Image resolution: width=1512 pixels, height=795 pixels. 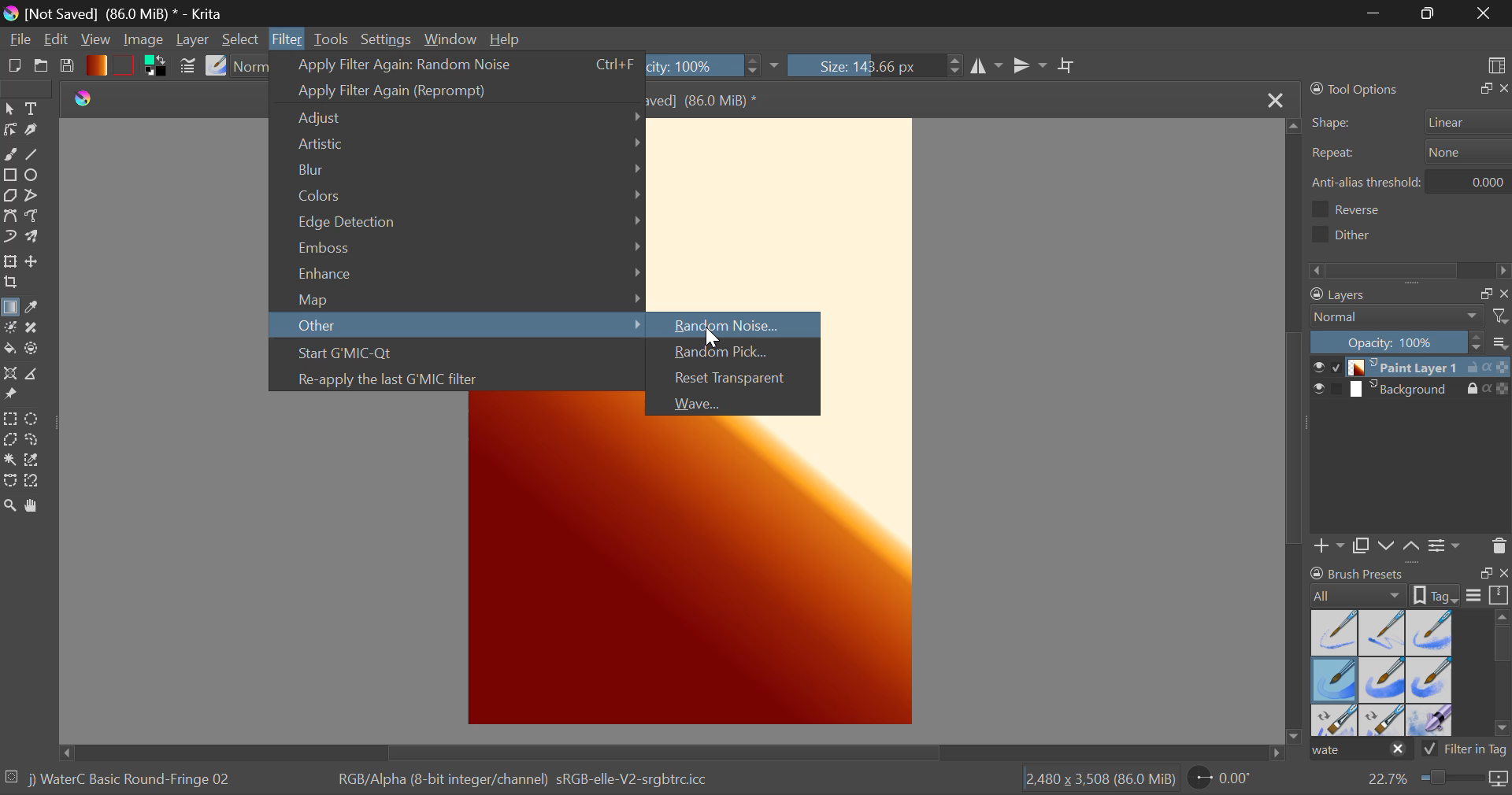 I want to click on Brush Presets, so click(x=216, y=67).